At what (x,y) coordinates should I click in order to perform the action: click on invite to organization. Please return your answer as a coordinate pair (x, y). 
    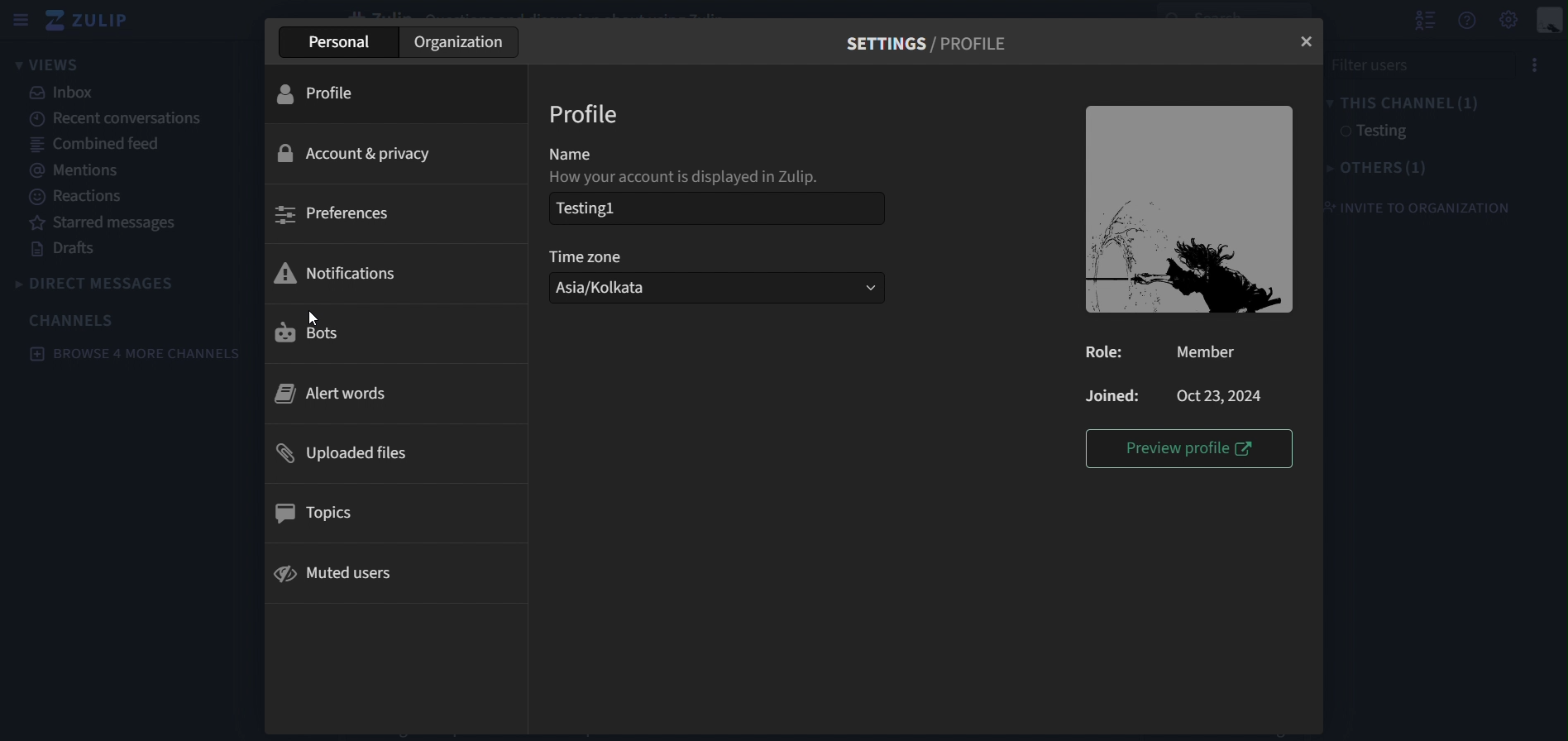
    Looking at the image, I should click on (1415, 207).